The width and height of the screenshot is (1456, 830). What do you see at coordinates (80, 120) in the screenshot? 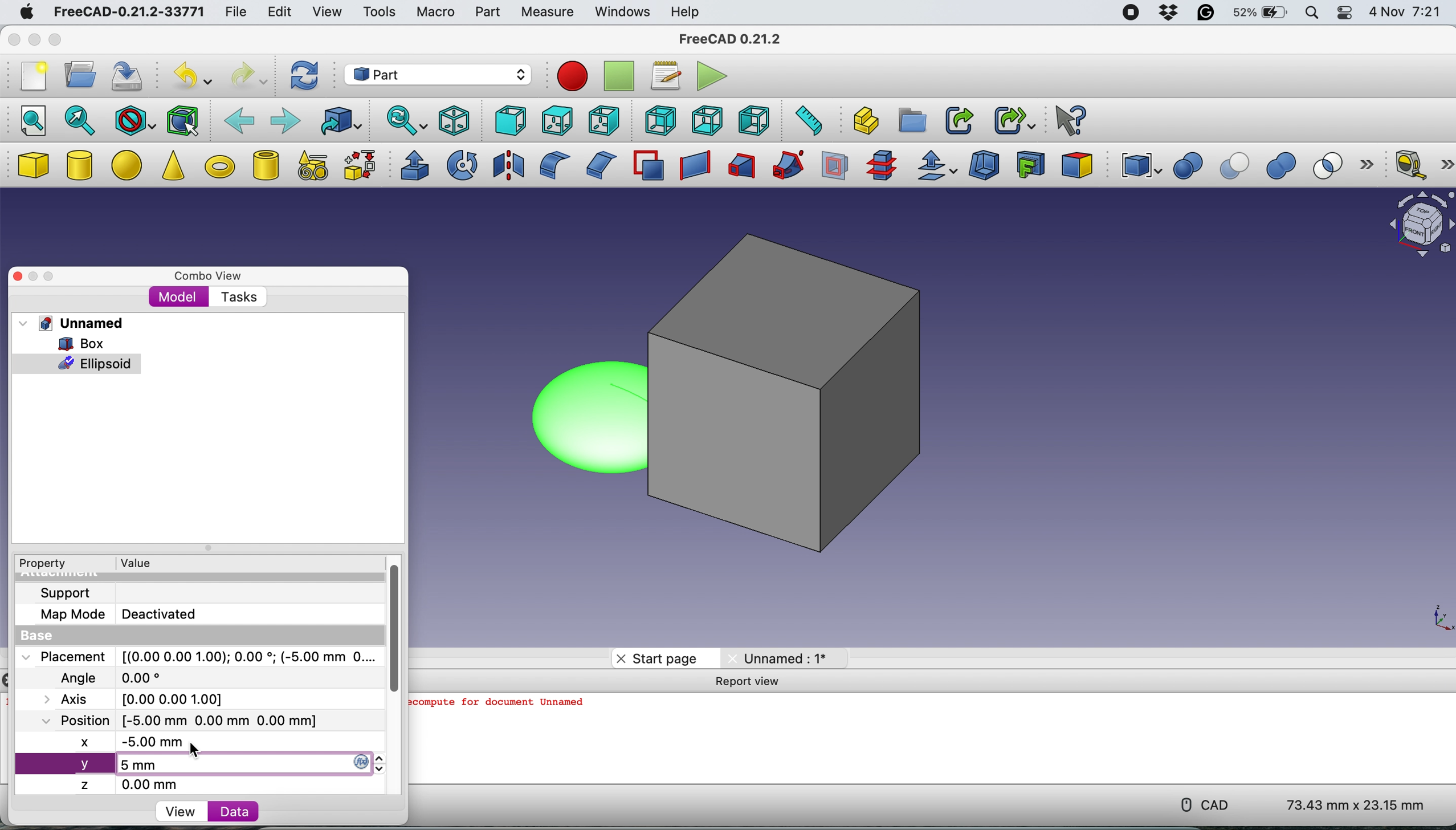
I see `fit selection` at bounding box center [80, 120].